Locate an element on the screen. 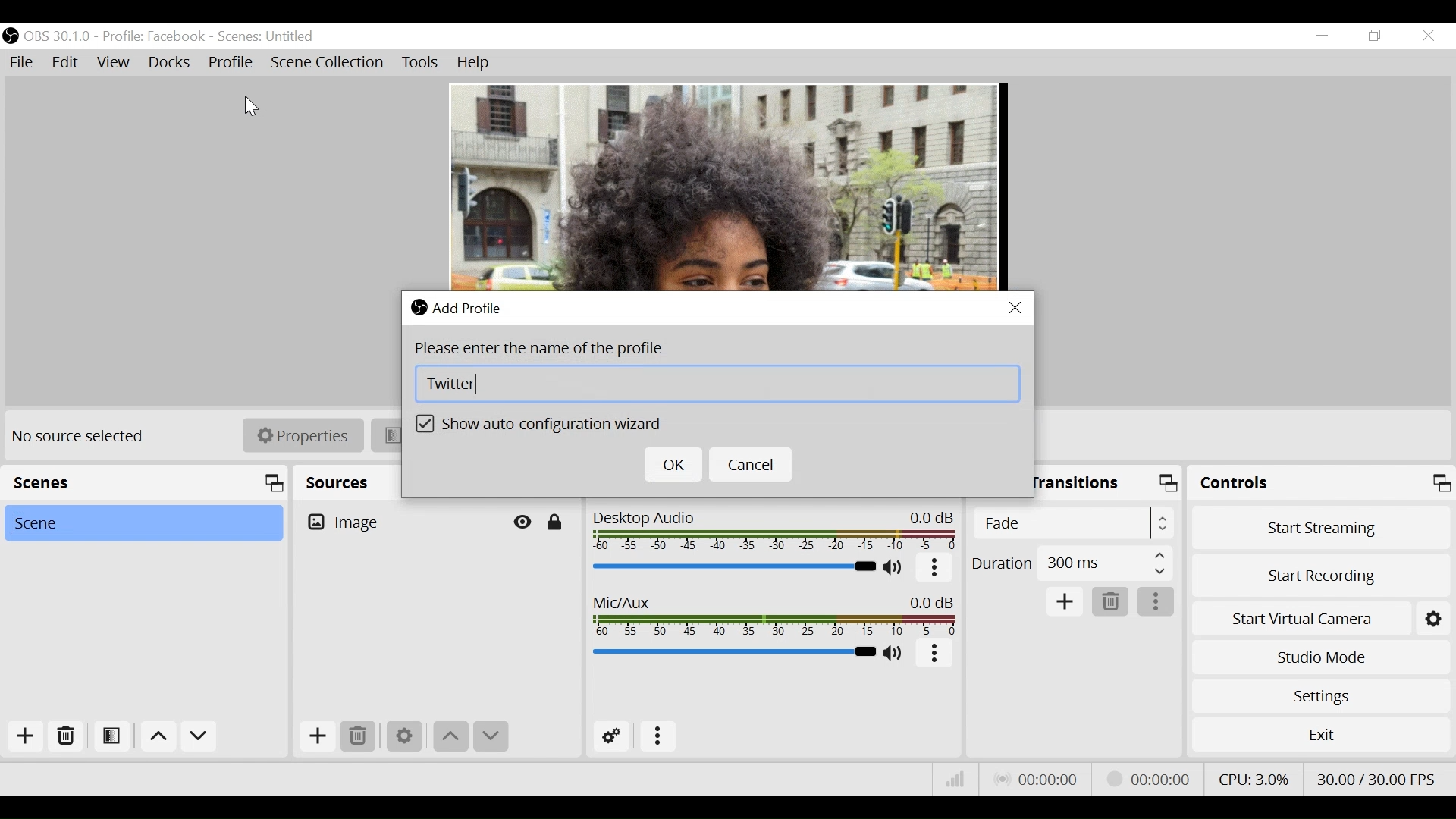  Hide/Display is located at coordinates (524, 522).